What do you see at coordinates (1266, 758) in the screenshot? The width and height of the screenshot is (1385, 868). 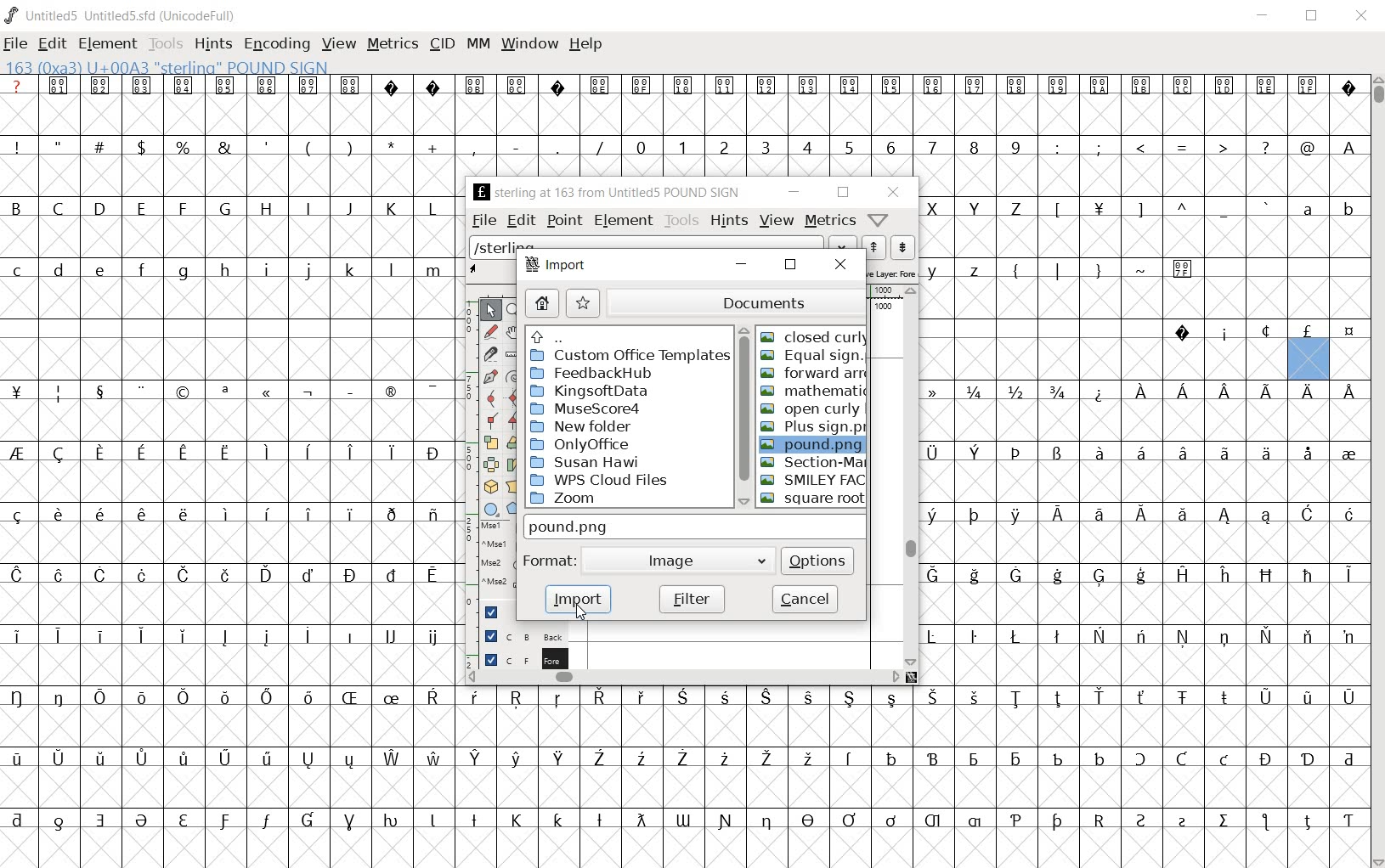 I see `Symbol` at bounding box center [1266, 758].